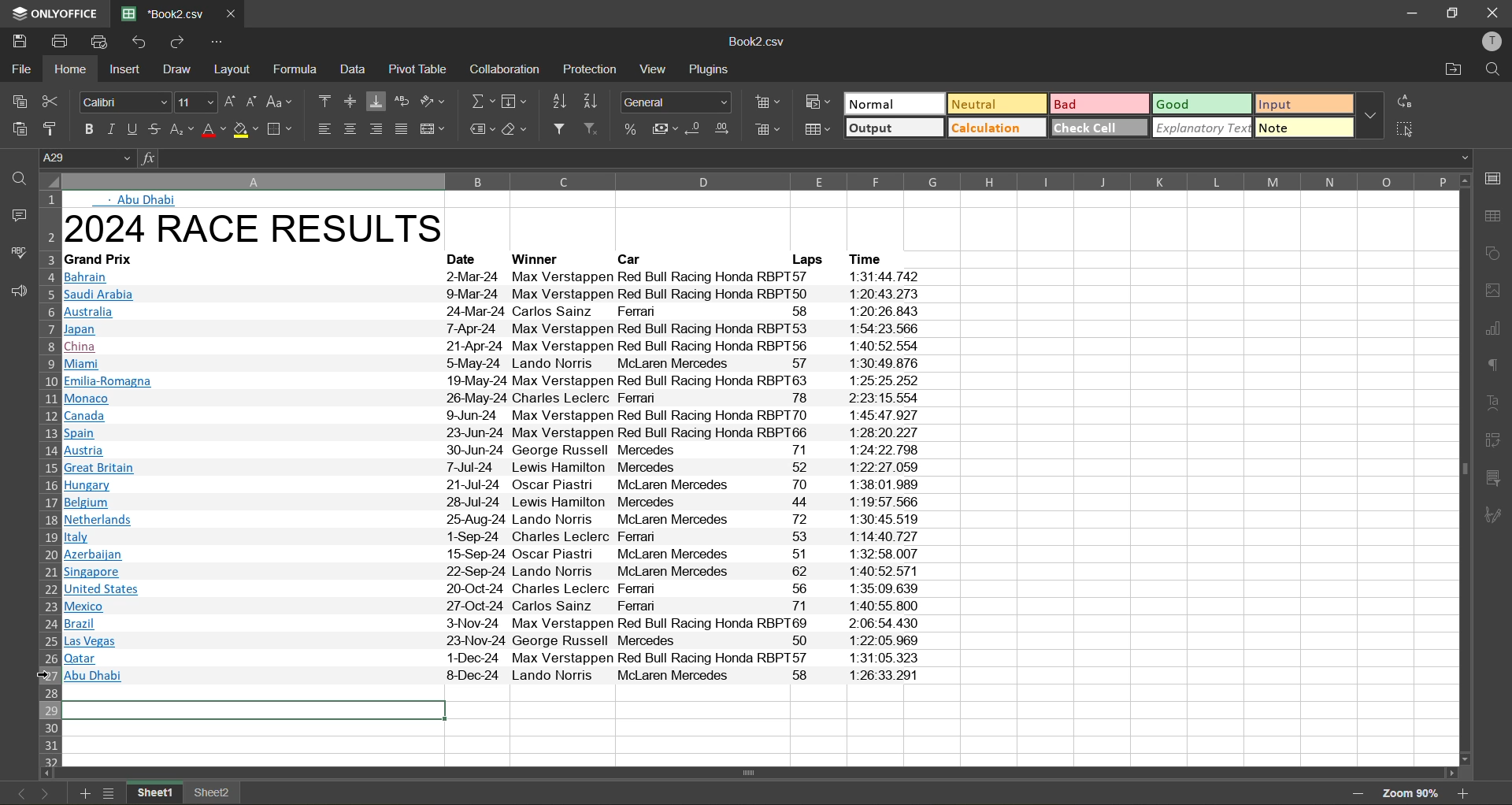 This screenshot has width=1512, height=805. I want to click on normal, so click(893, 105).